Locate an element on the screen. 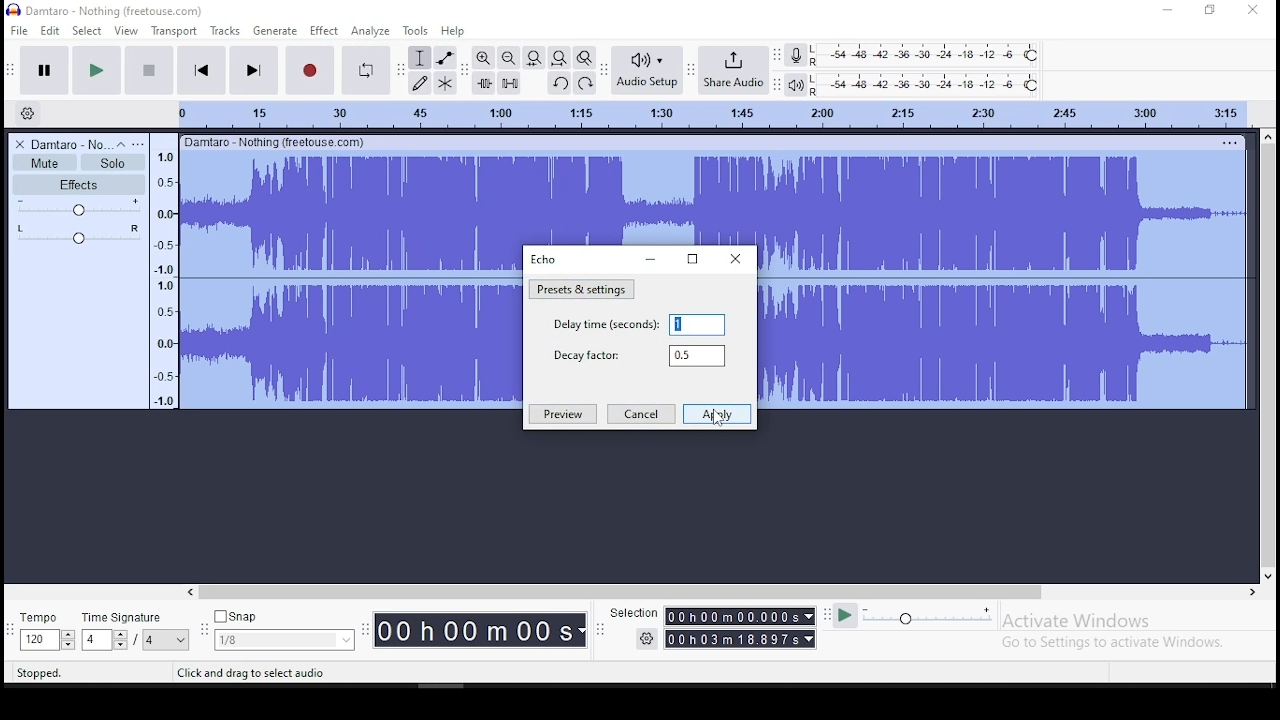 The image size is (1280, 720).  is located at coordinates (825, 614).